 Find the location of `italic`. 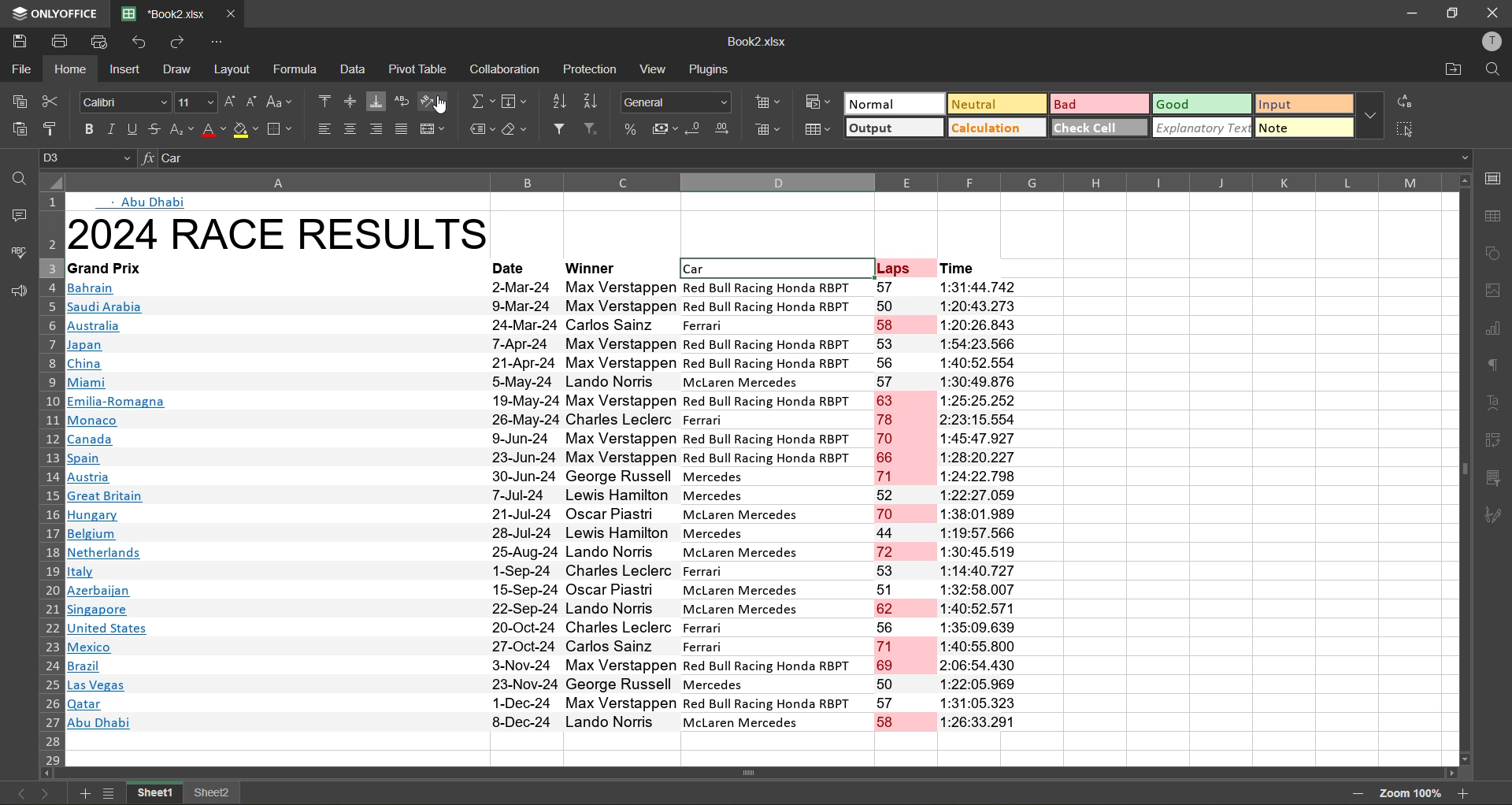

italic is located at coordinates (114, 129).